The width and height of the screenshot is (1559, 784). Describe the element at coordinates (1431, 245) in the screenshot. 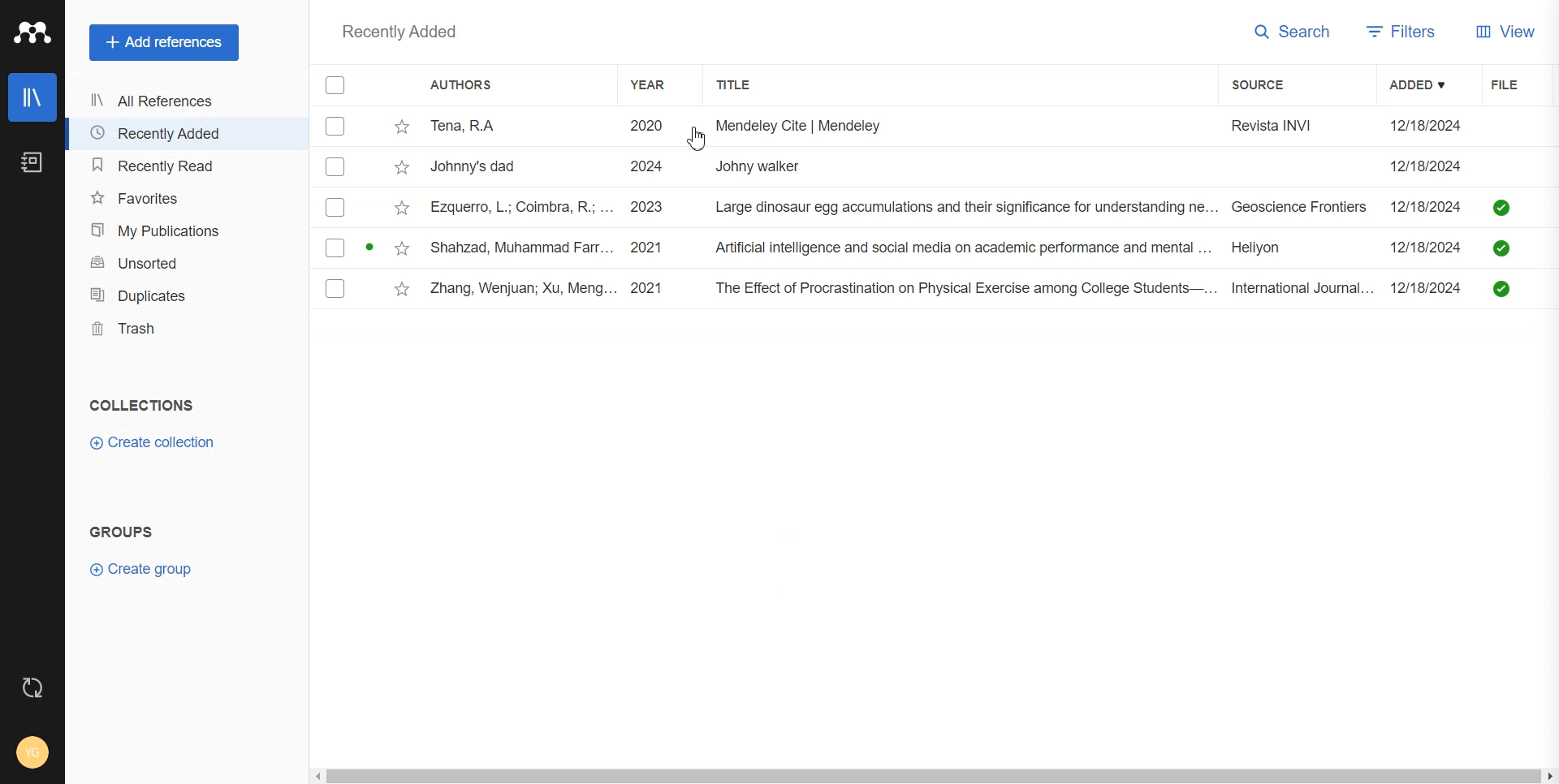

I see `12/18/2024` at that location.